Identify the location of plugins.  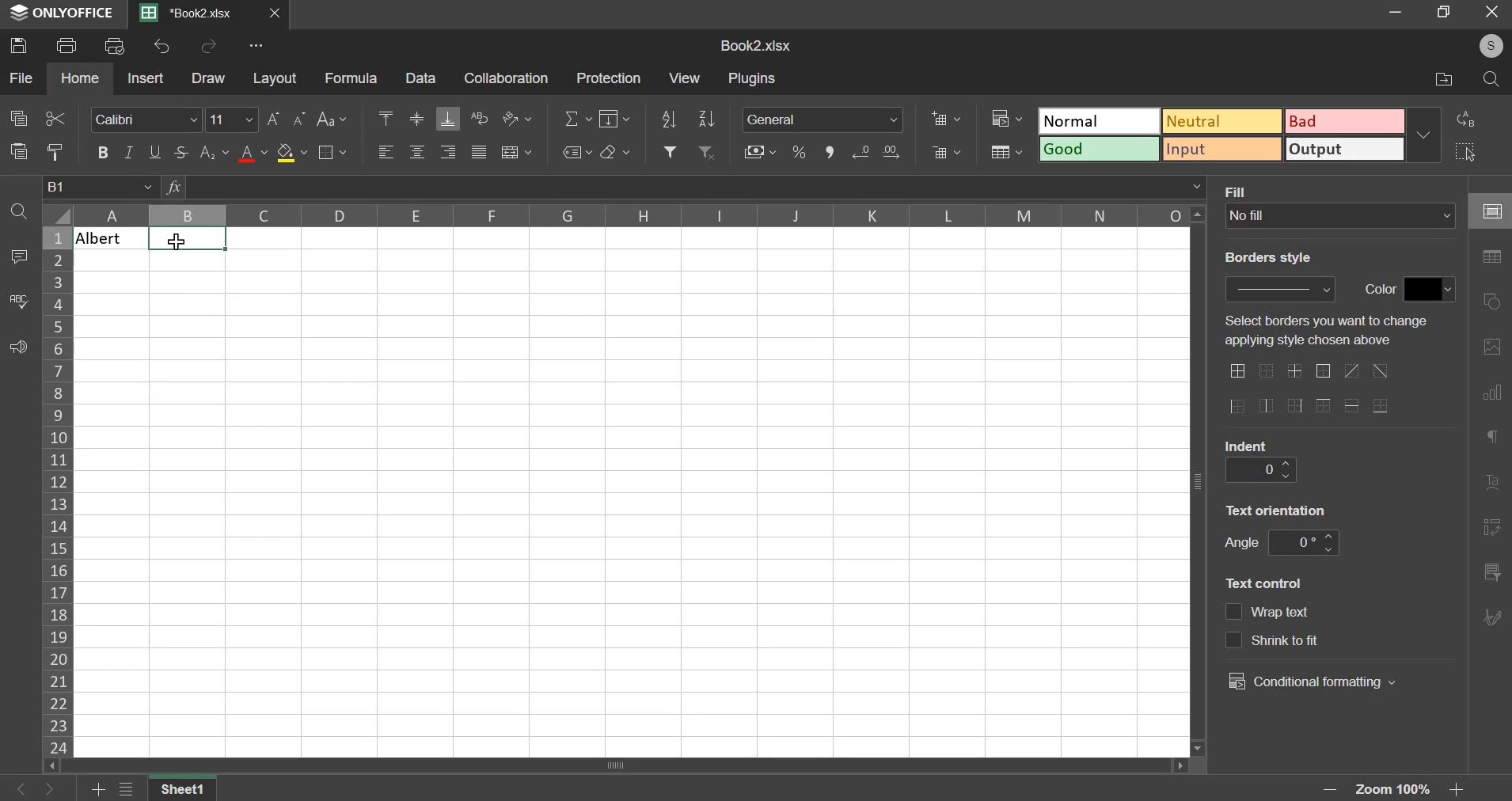
(754, 79).